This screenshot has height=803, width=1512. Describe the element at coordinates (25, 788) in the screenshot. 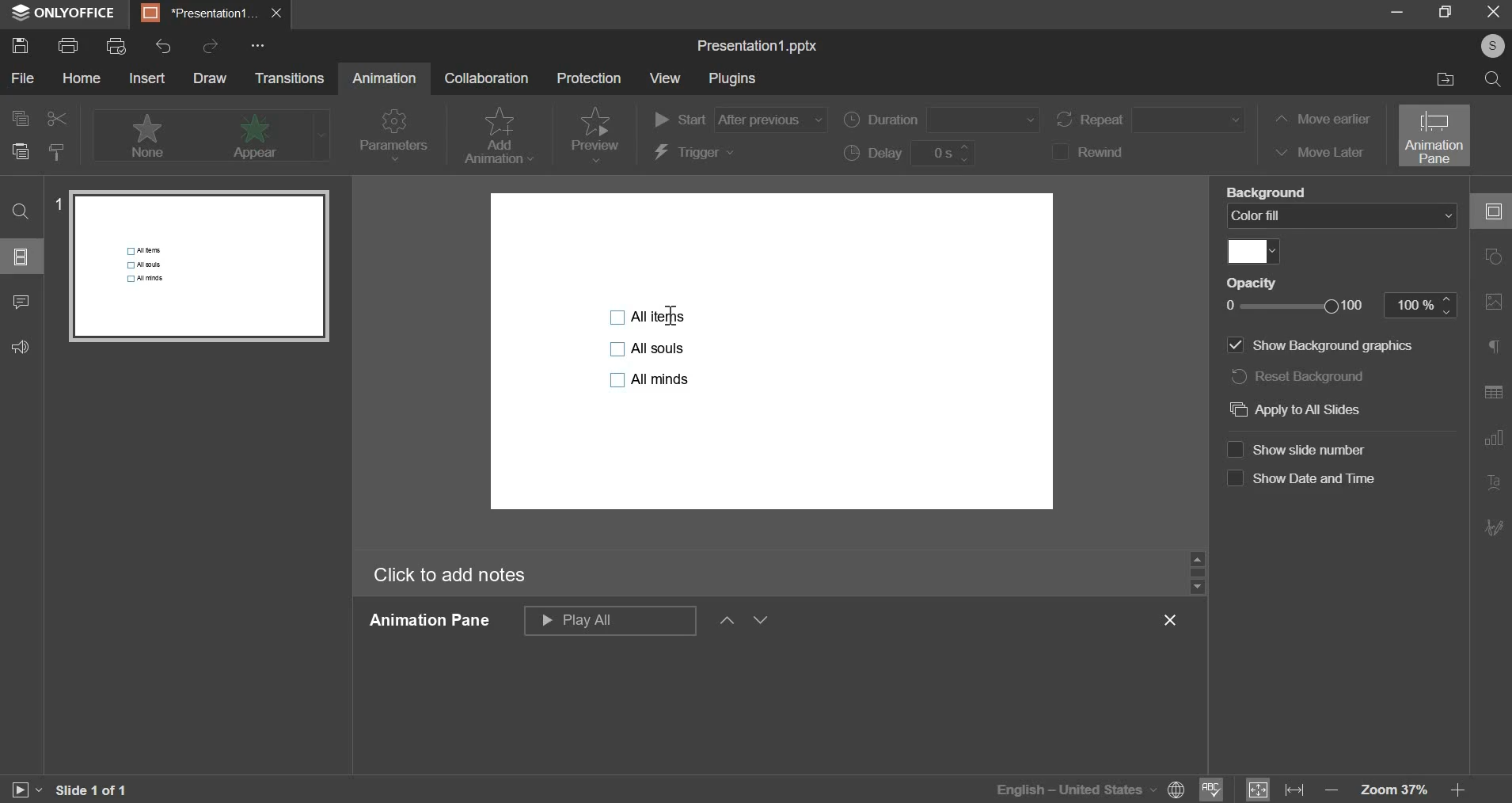

I see `slideshow` at that location.